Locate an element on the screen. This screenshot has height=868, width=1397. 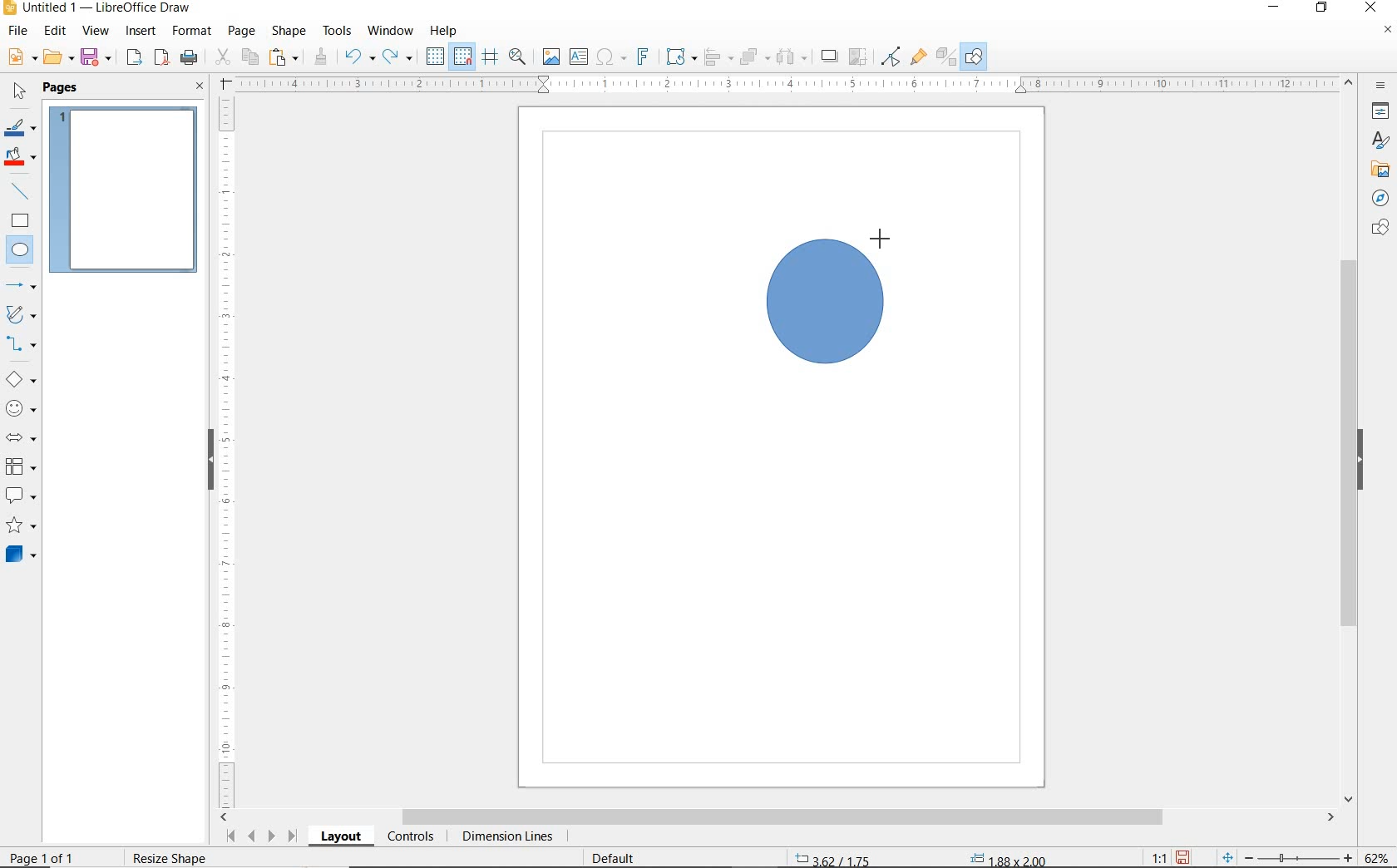
CURVES AND POLYGONS is located at coordinates (20, 316).